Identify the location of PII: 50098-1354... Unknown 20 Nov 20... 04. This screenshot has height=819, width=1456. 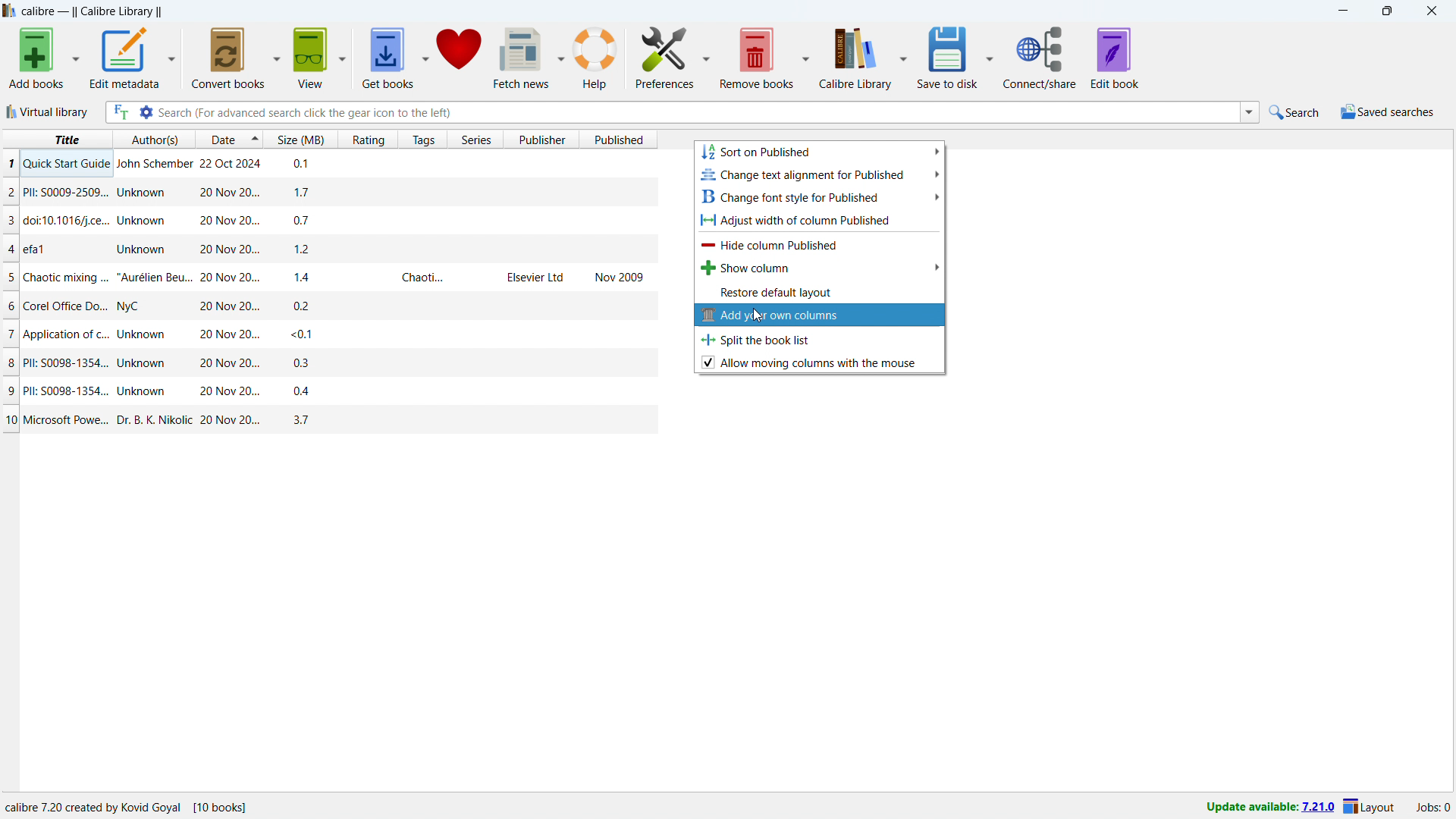
(331, 391).